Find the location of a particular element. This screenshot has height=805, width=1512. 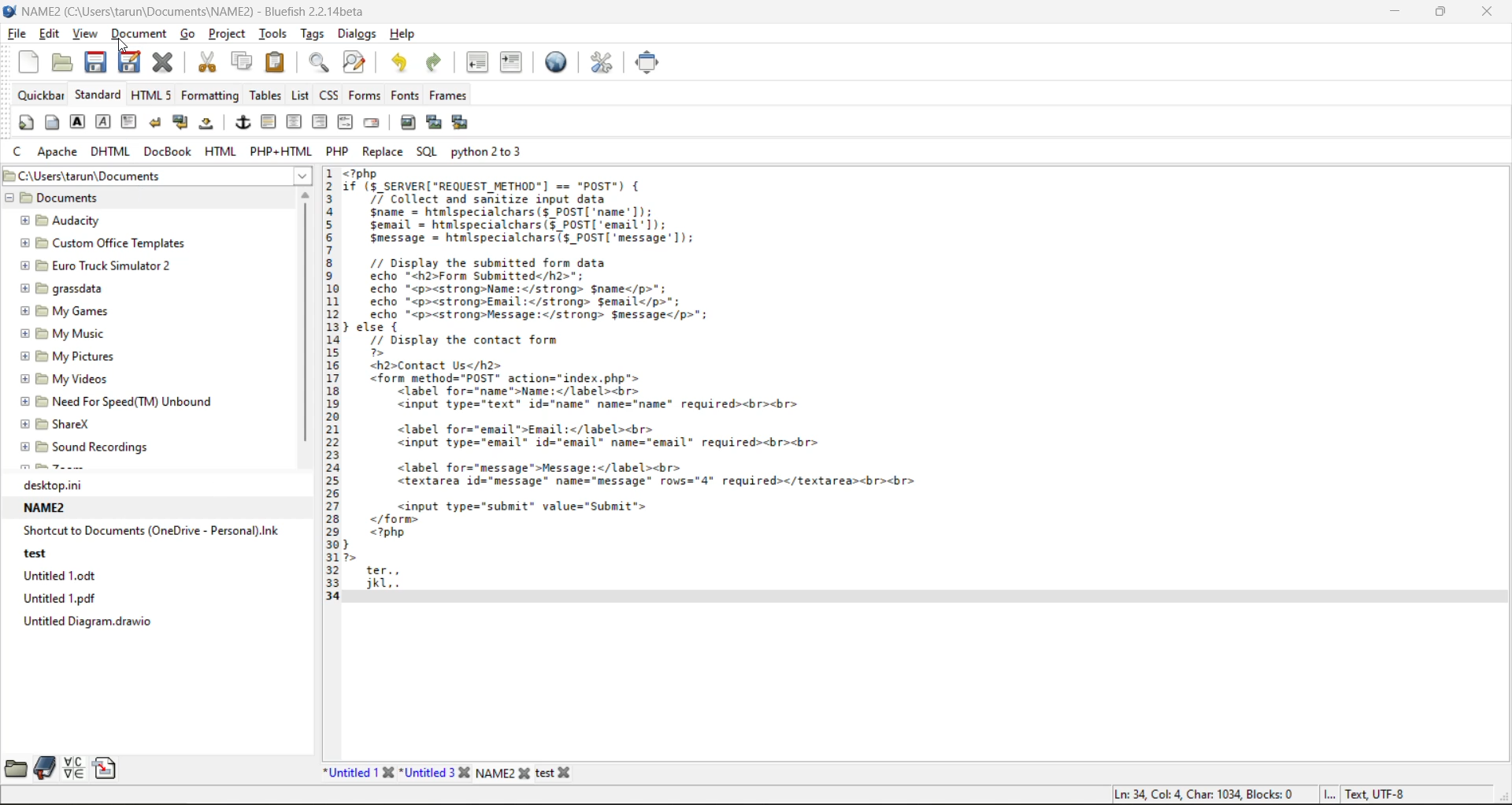

desktop.ini is located at coordinates (82, 487).